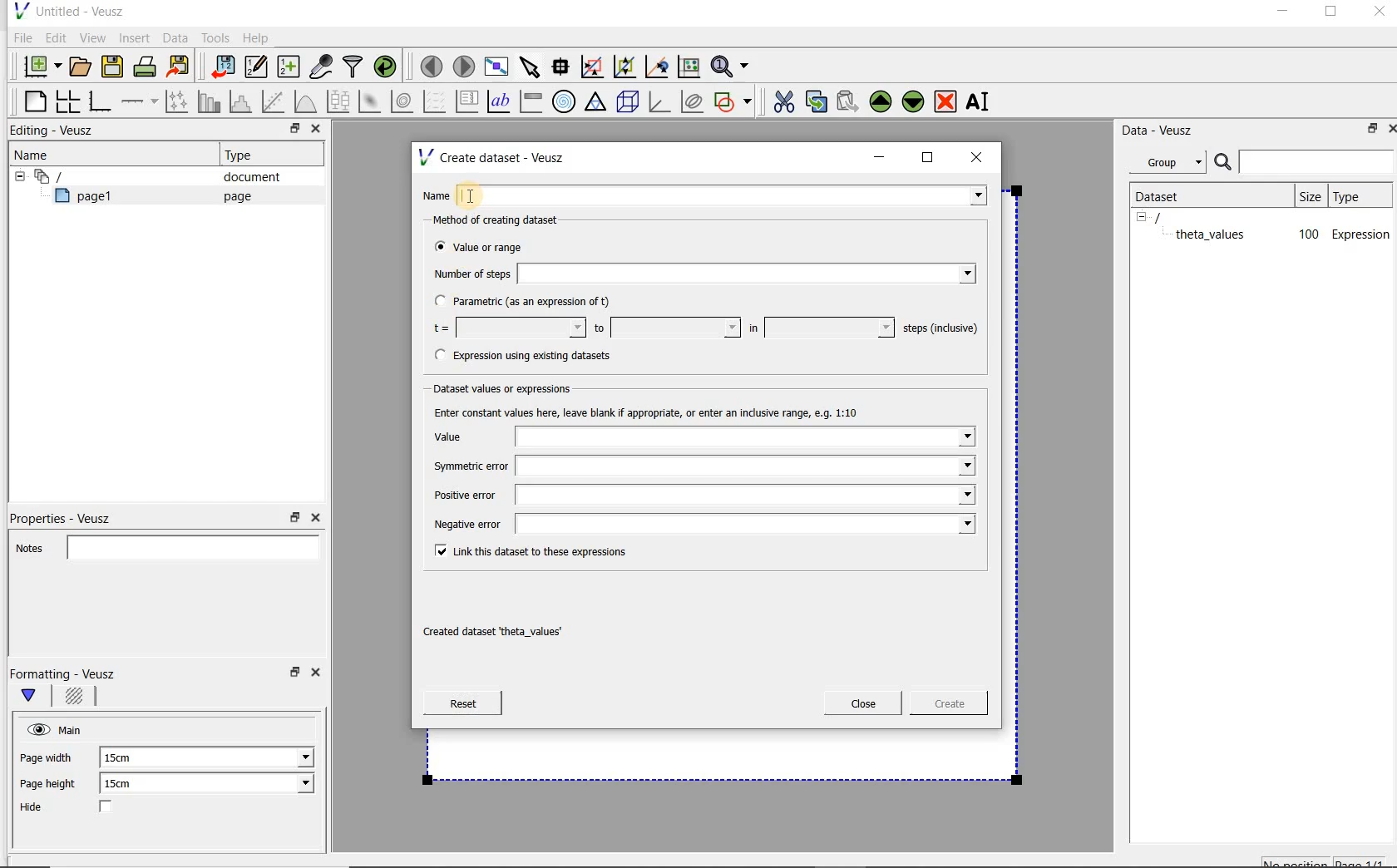 This screenshot has width=1397, height=868. What do you see at coordinates (128, 784) in the screenshot?
I see `15cm` at bounding box center [128, 784].